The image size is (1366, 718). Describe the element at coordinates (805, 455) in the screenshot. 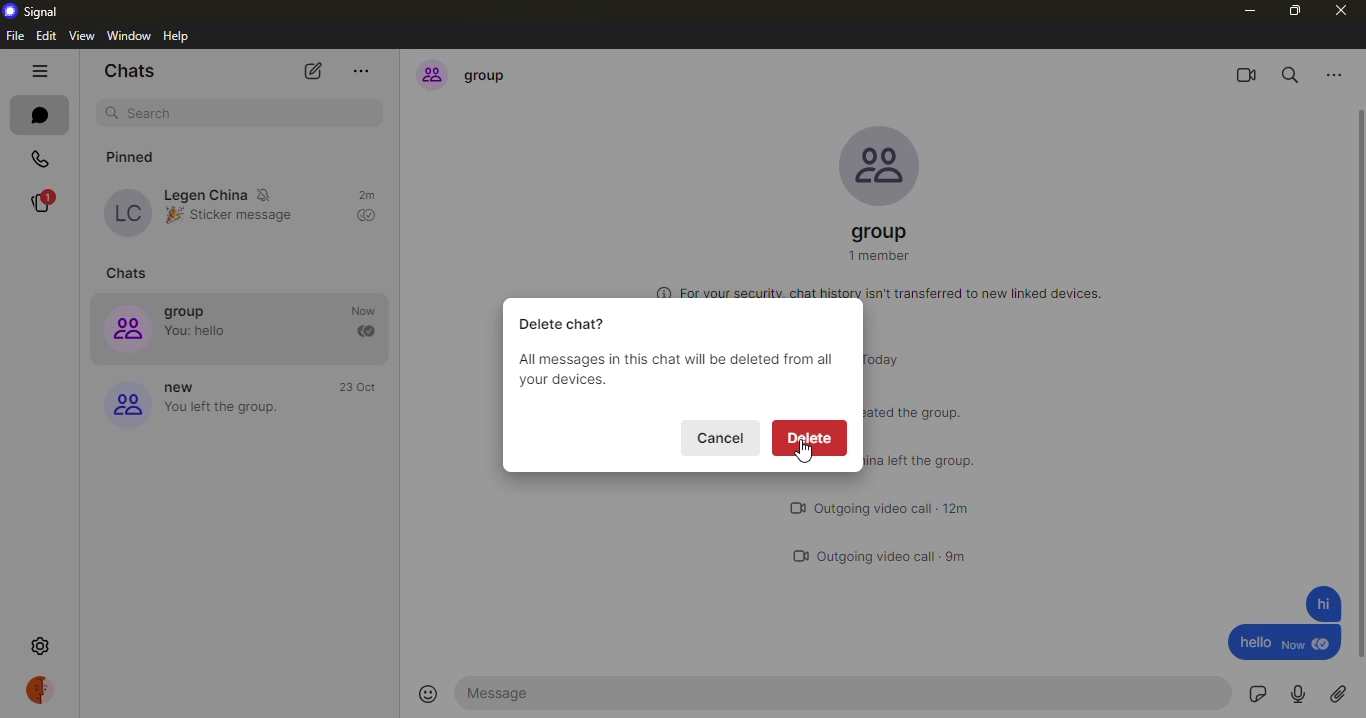

I see `cursor` at that location.